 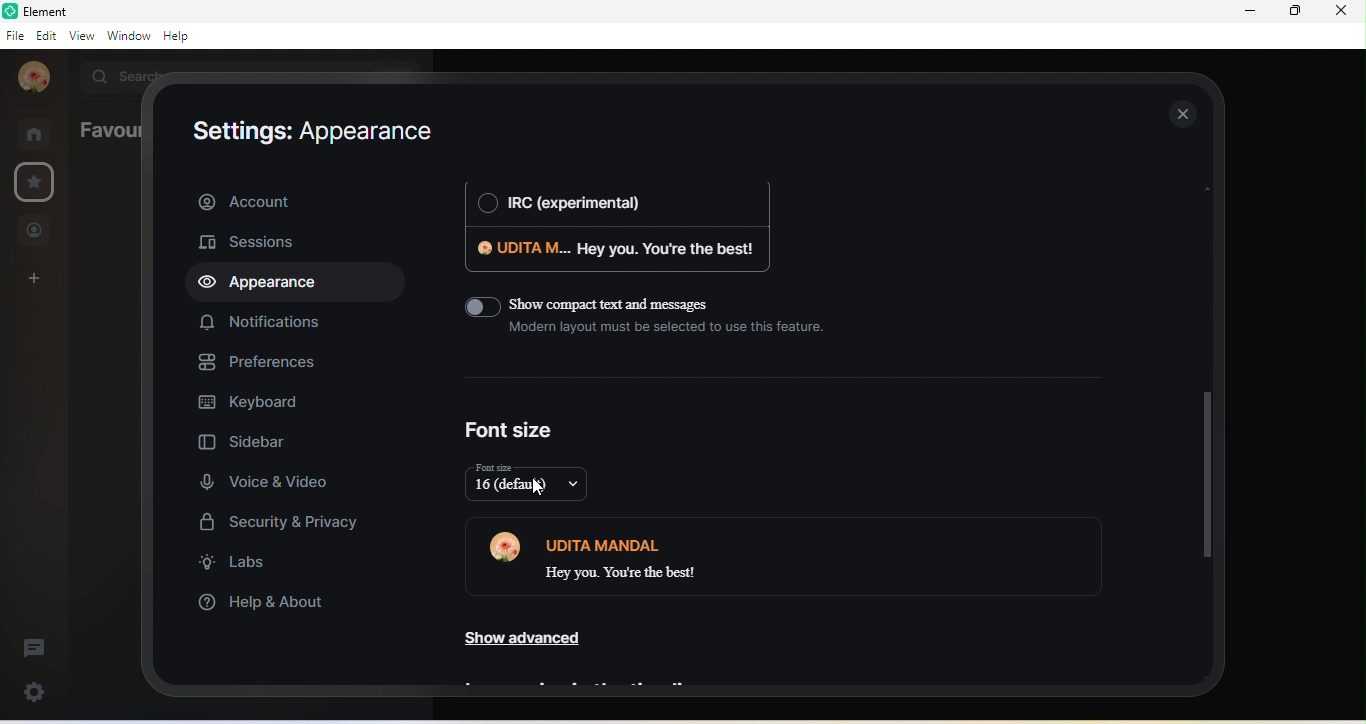 I want to click on thread, so click(x=32, y=645).